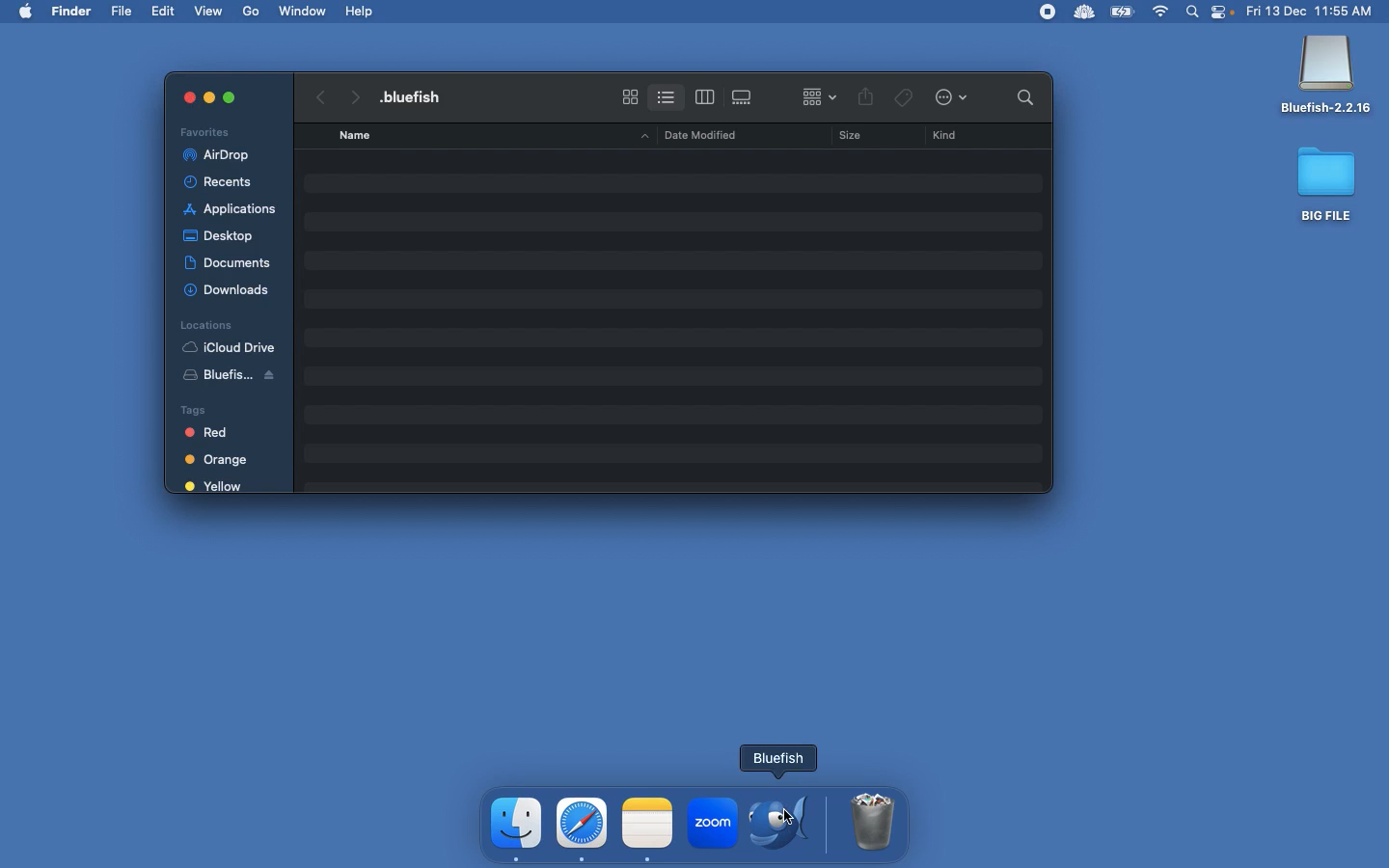 The image size is (1389, 868). I want to click on Notification, so click(1224, 14).